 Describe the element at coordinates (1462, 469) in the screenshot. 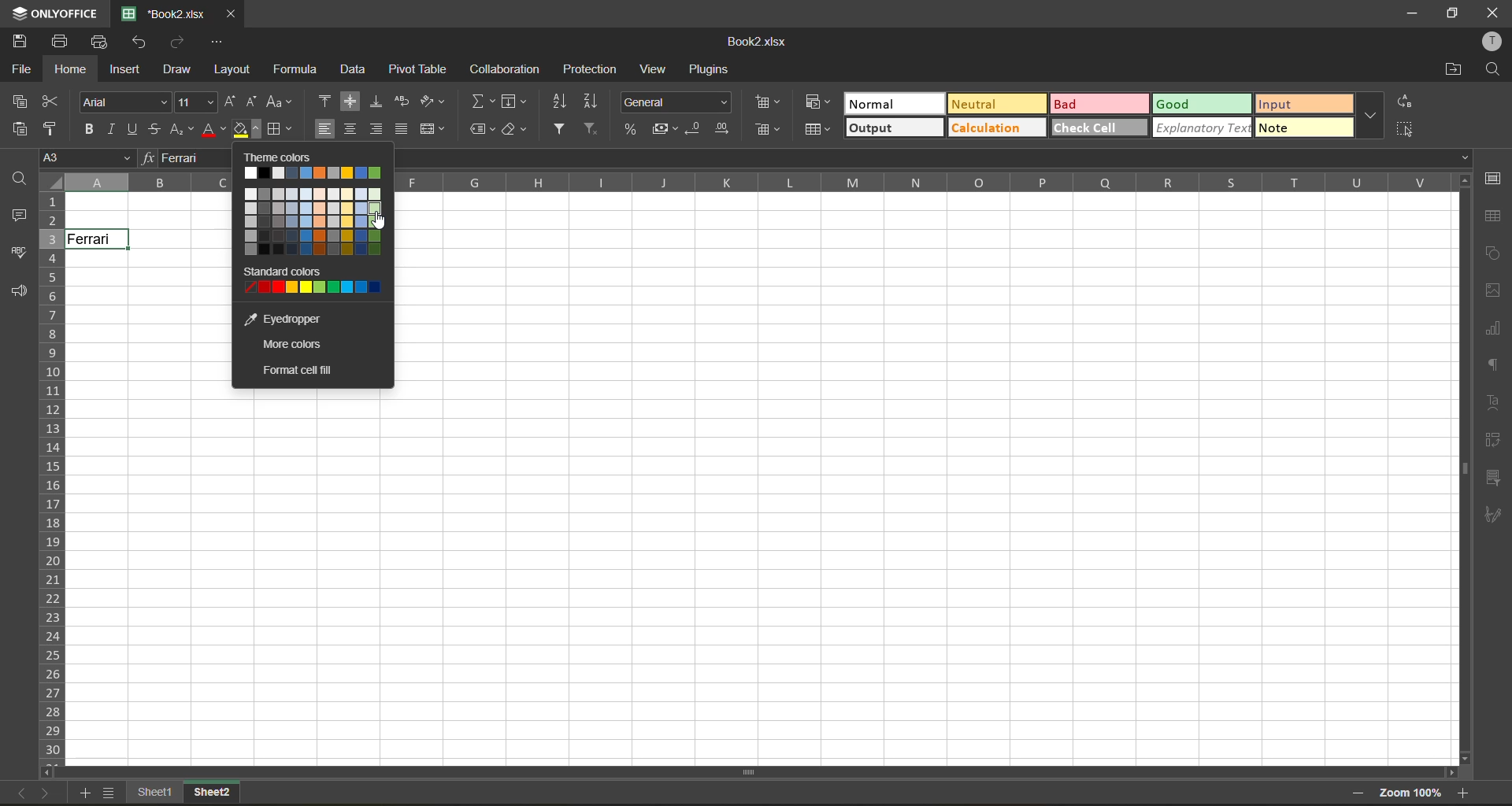

I see `Vertical Scrollbar` at that location.